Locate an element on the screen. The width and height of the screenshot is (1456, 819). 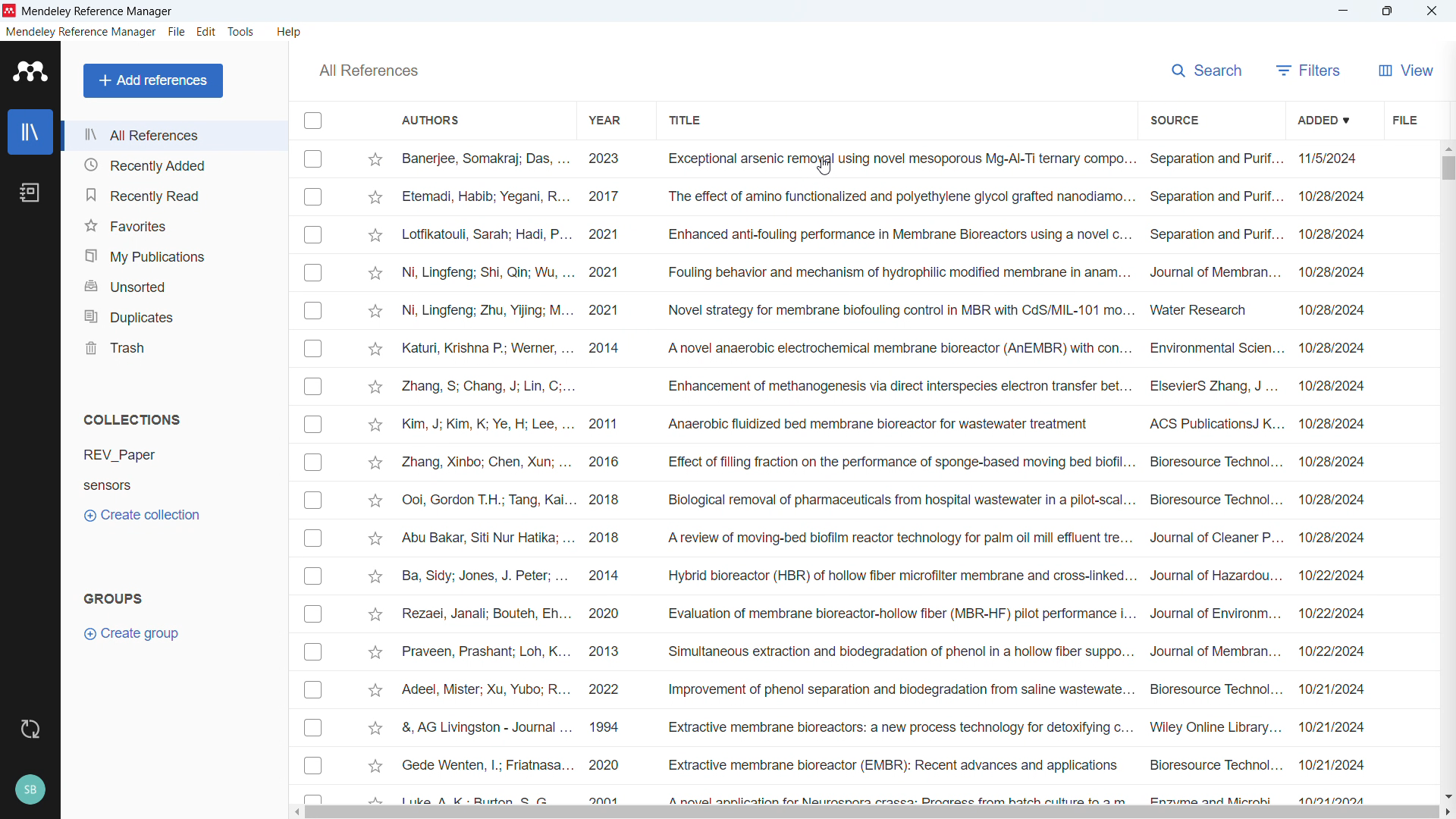
all references is located at coordinates (367, 71).